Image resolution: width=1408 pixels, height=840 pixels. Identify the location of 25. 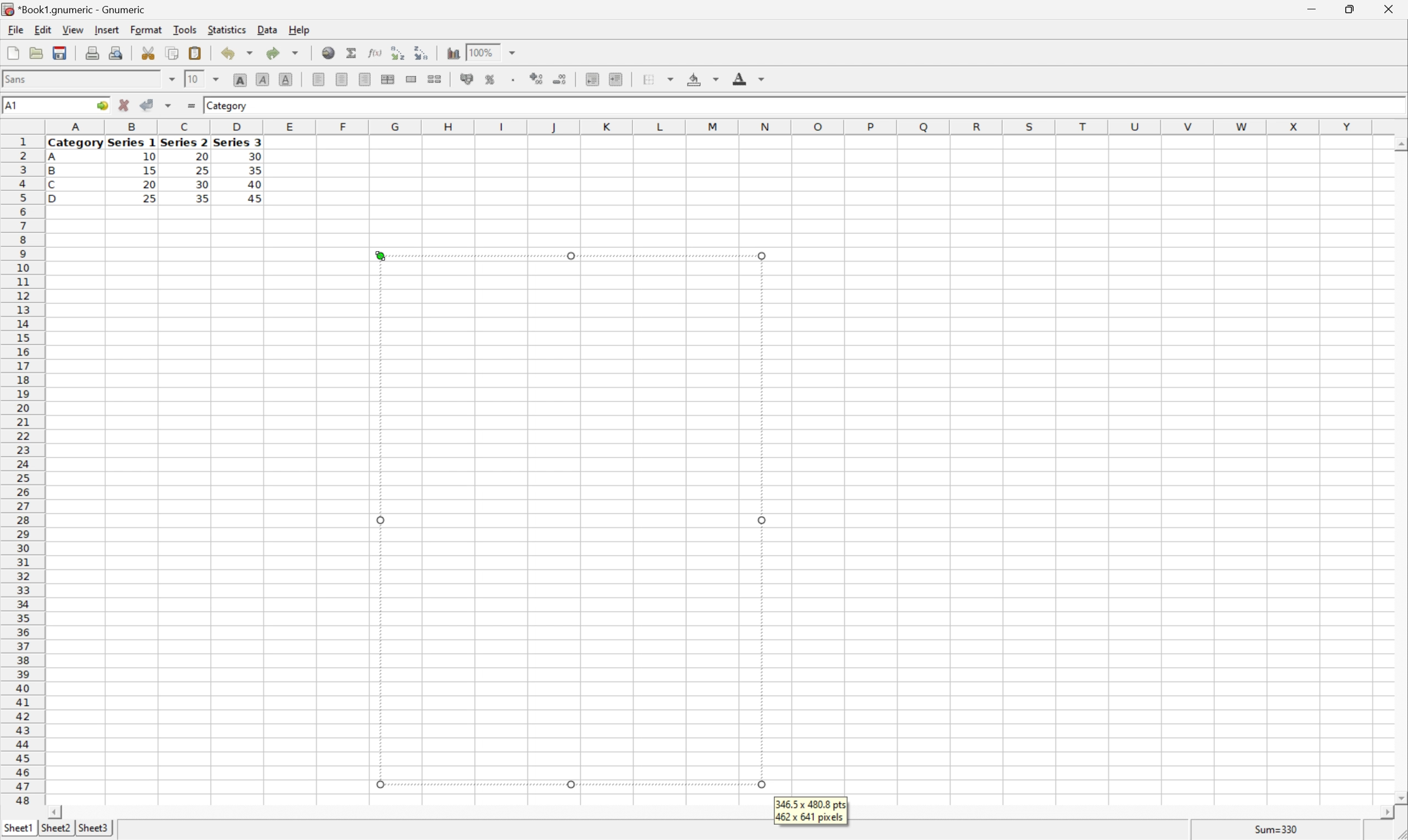
(149, 199).